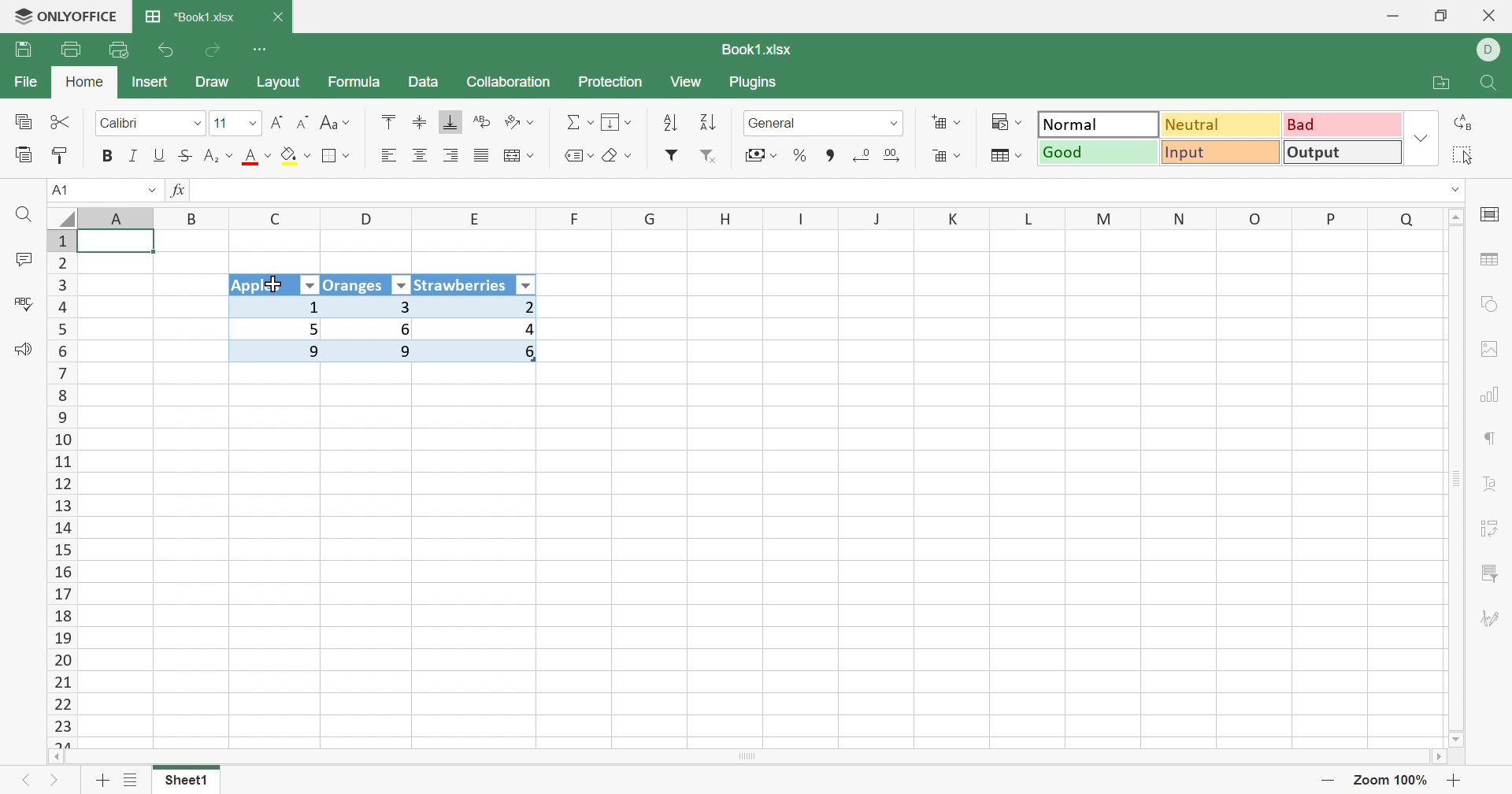 This screenshot has height=794, width=1512. Describe the element at coordinates (1493, 216) in the screenshot. I see `cell settings` at that location.